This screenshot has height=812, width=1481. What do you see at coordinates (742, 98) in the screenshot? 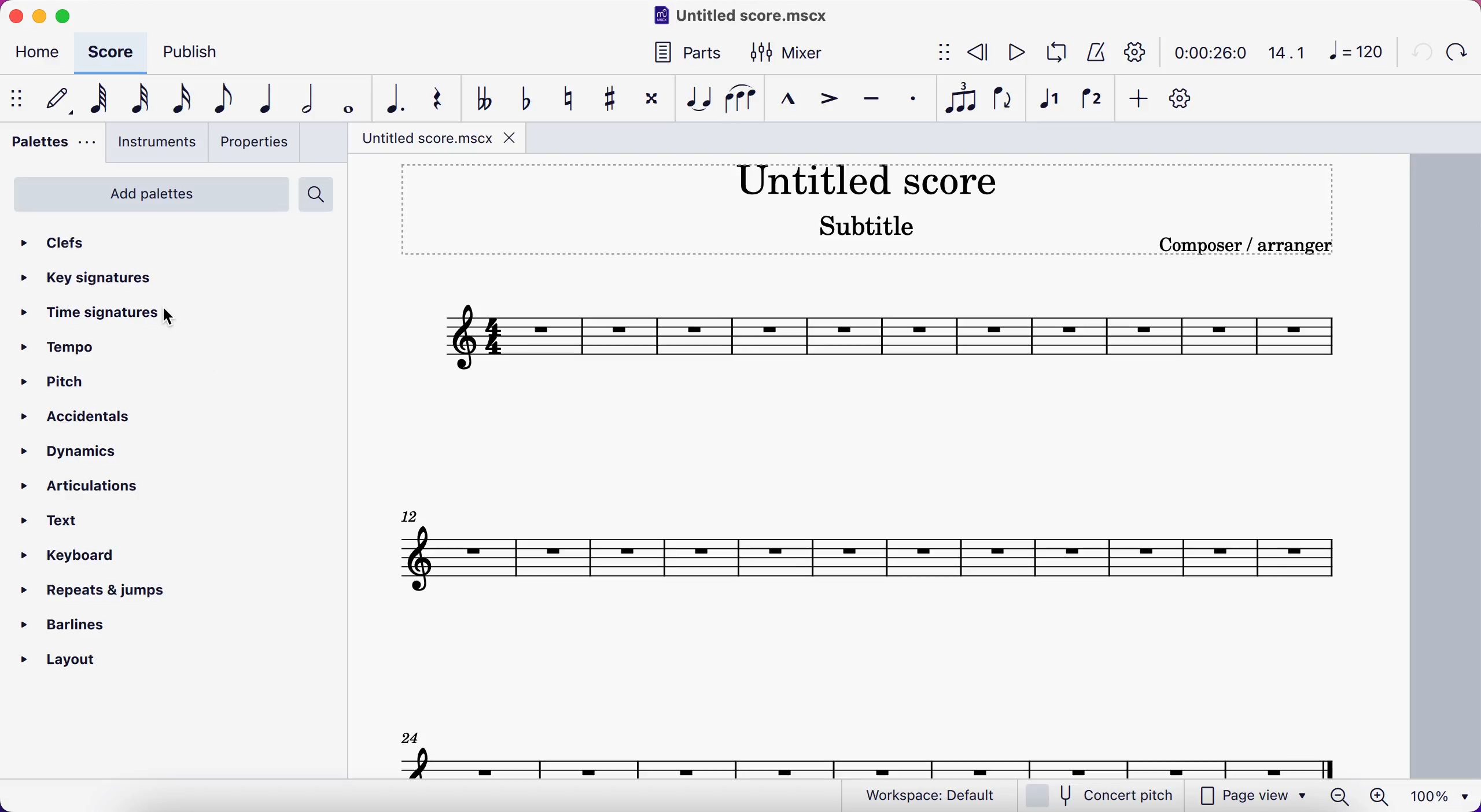
I see `slur` at bounding box center [742, 98].